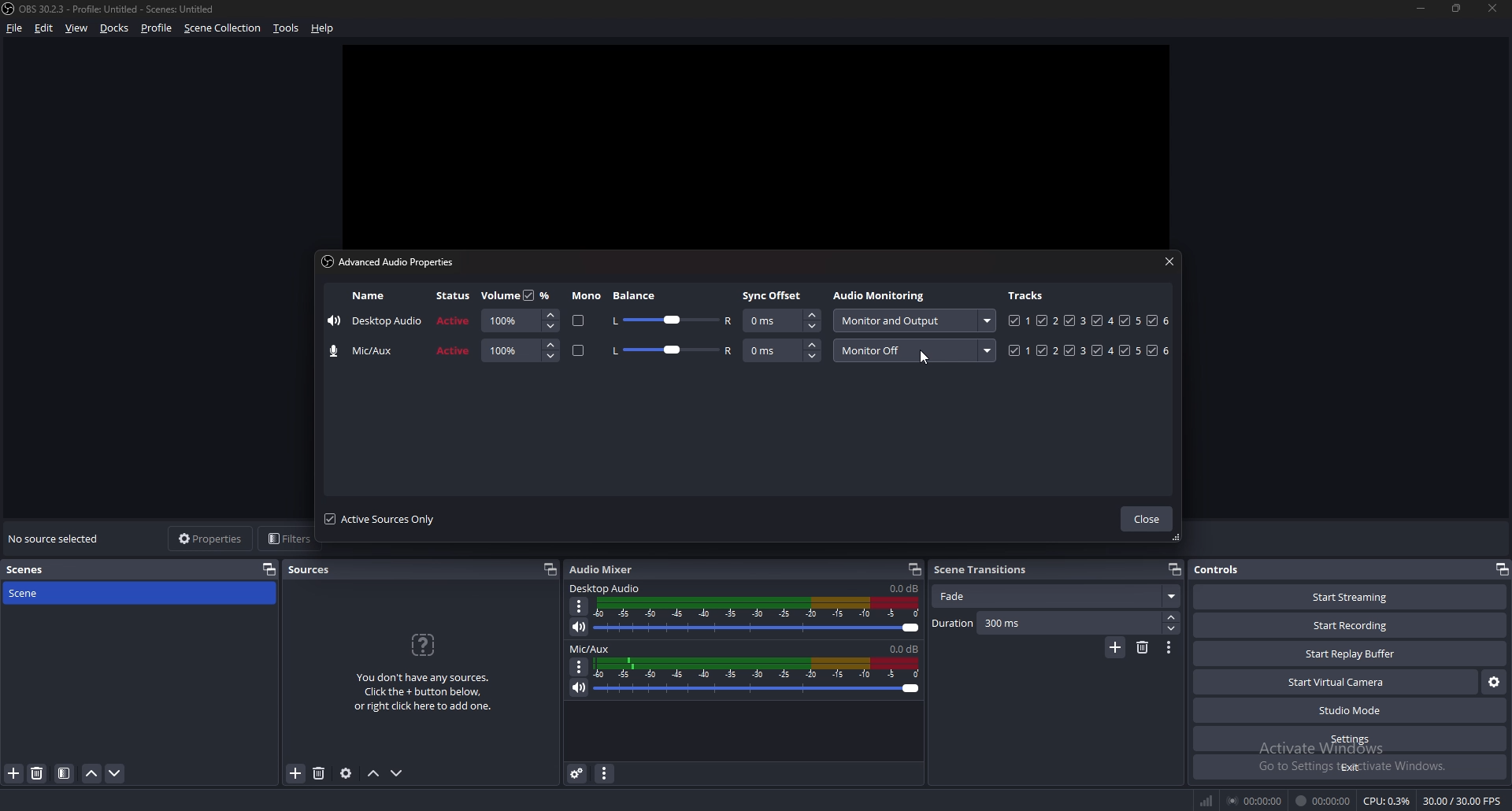 This screenshot has width=1512, height=811. Describe the element at coordinates (320, 772) in the screenshot. I see `remove source` at that location.